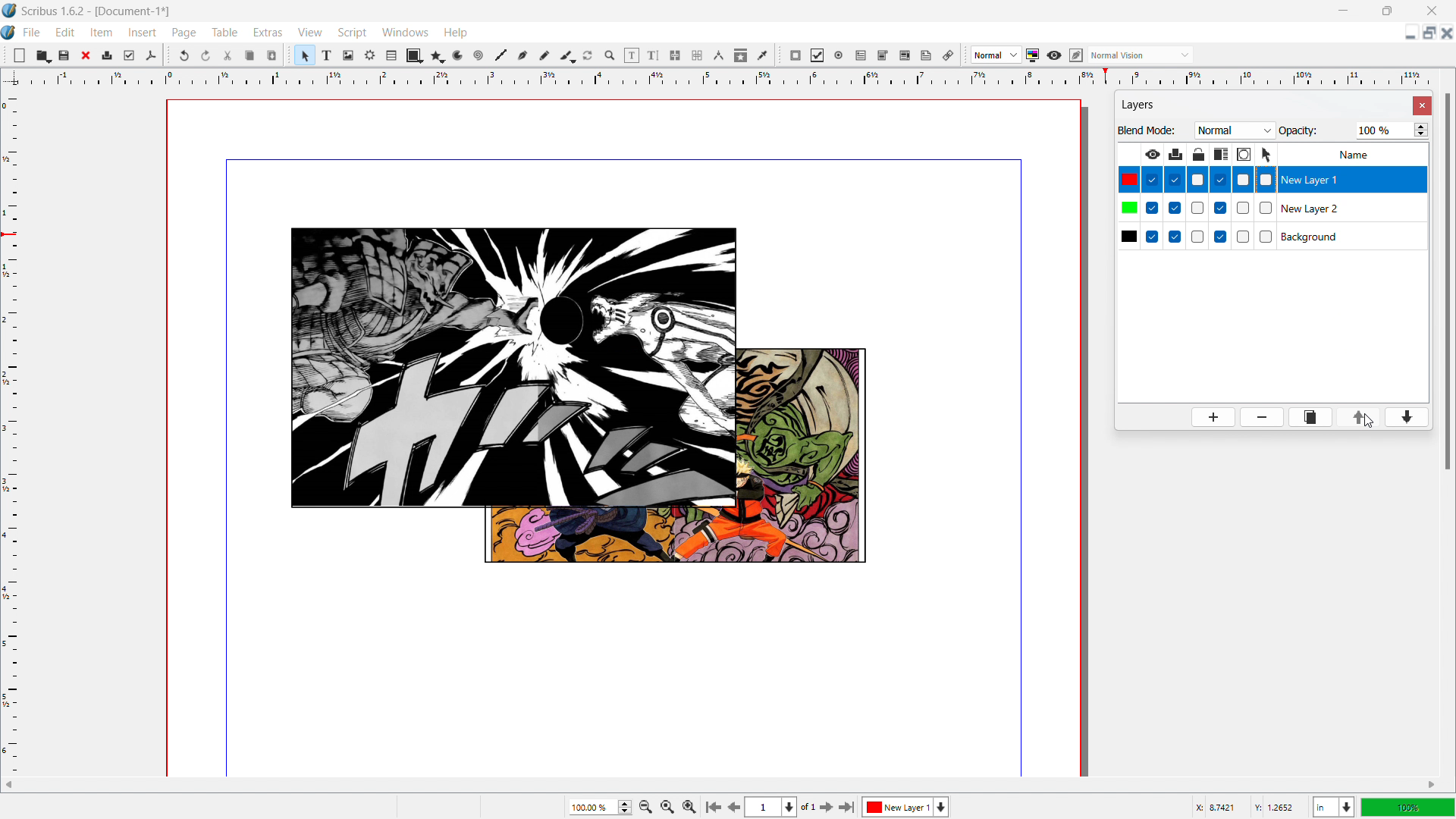  Describe the element at coordinates (129, 55) in the screenshot. I see `preflight verifier` at that location.